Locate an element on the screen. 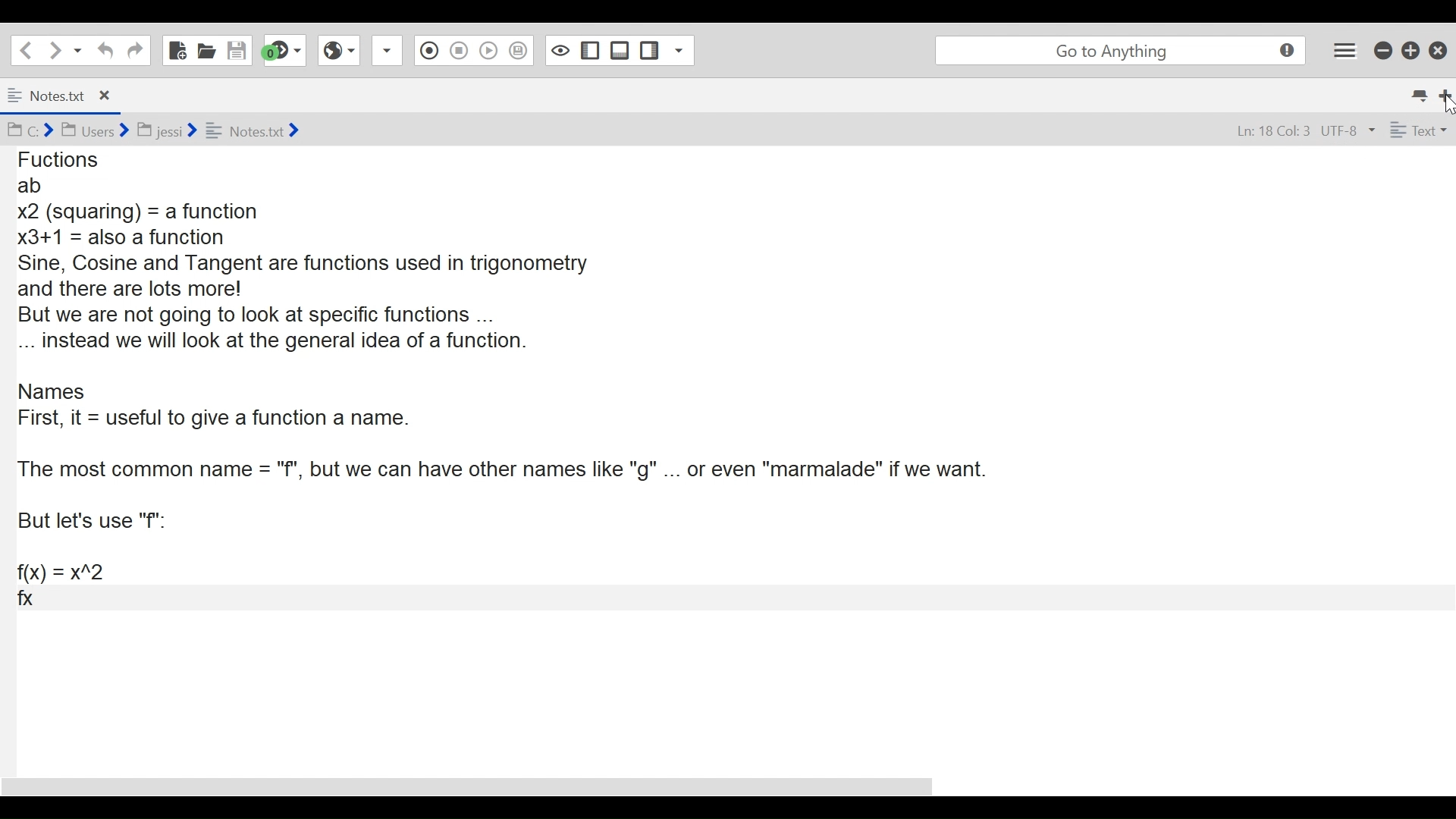  New File is located at coordinates (175, 49).